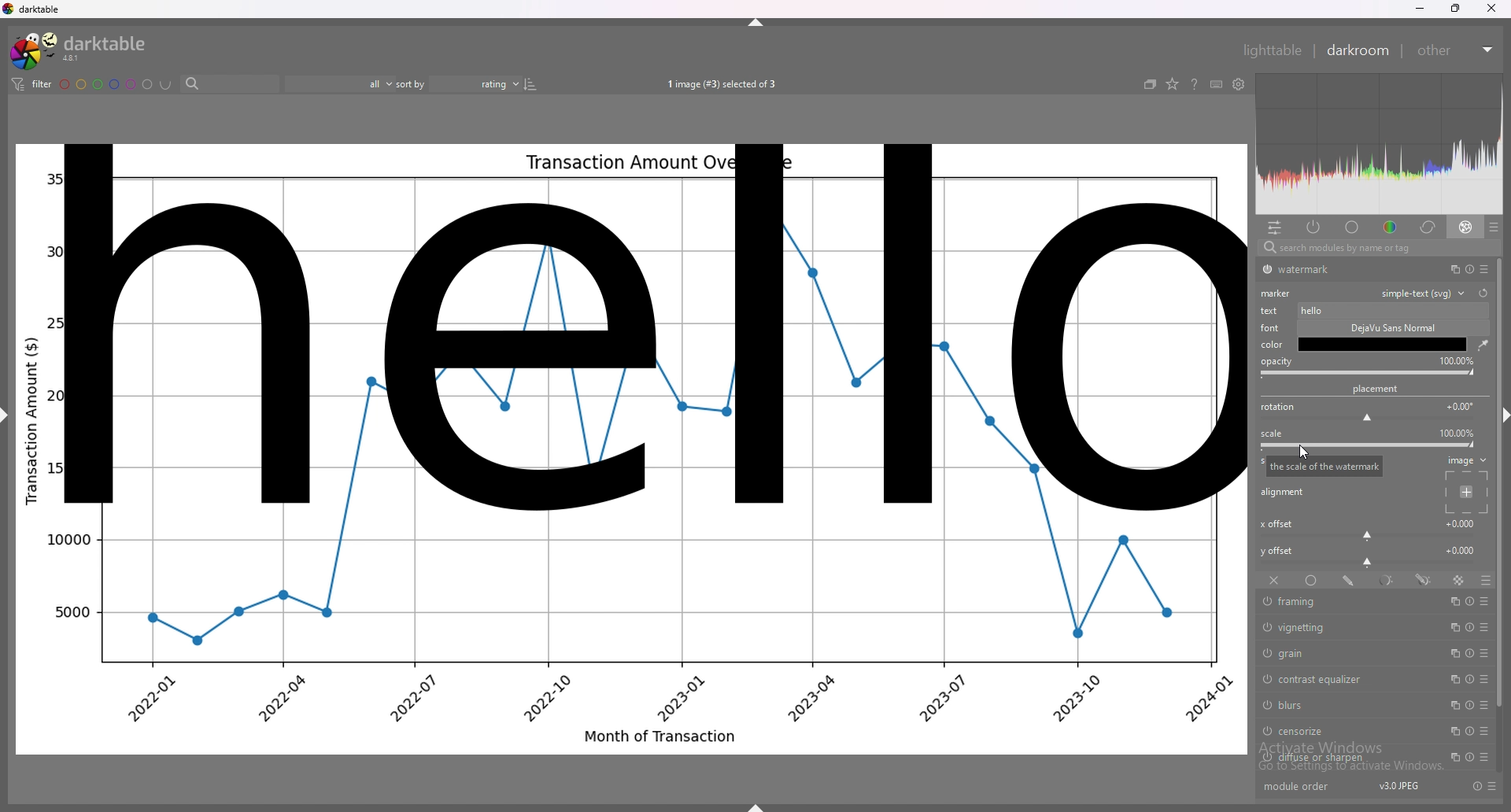  I want to click on alignment, so click(1284, 492).